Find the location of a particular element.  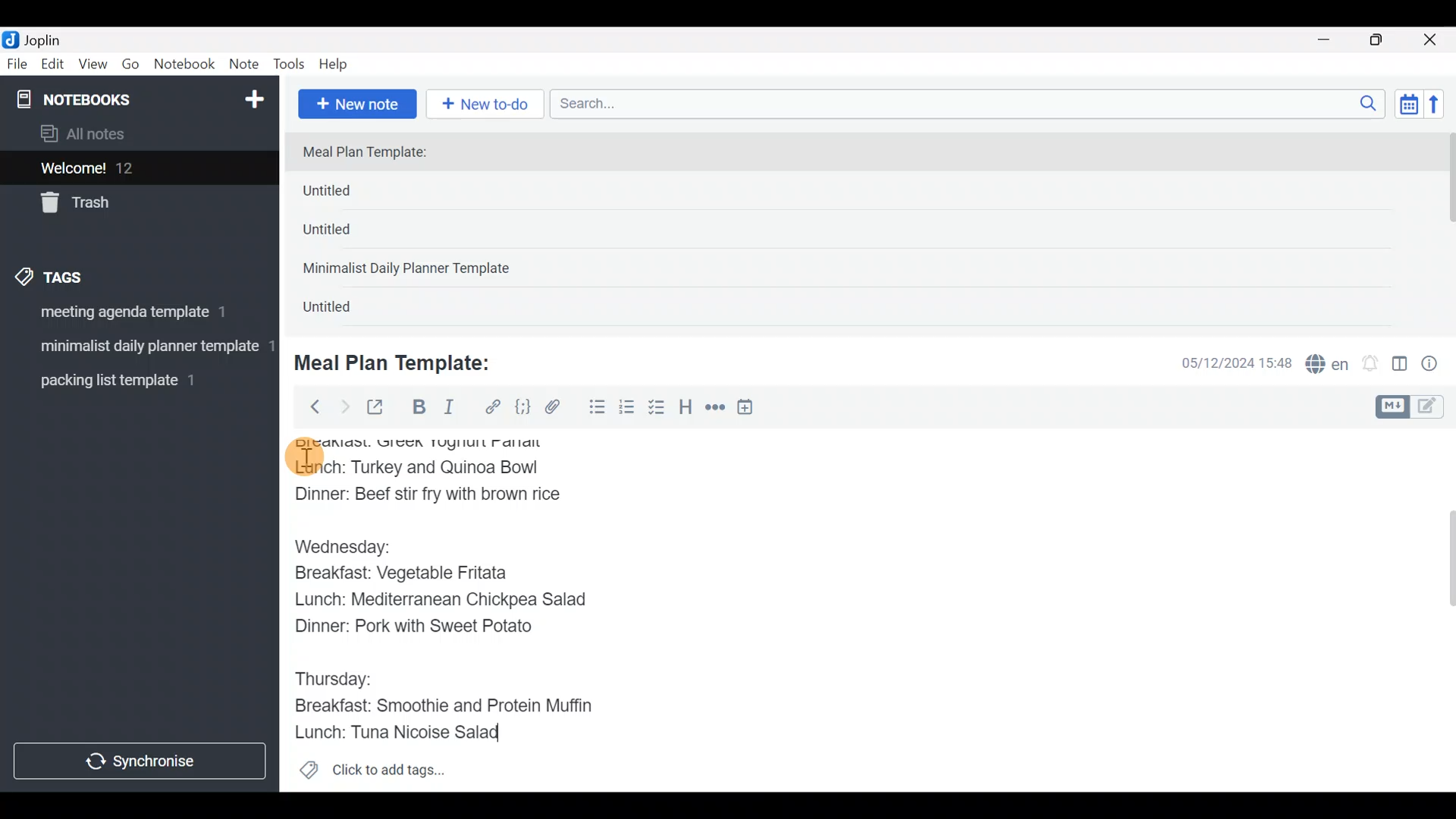

Toggle editors is located at coordinates (1414, 405).